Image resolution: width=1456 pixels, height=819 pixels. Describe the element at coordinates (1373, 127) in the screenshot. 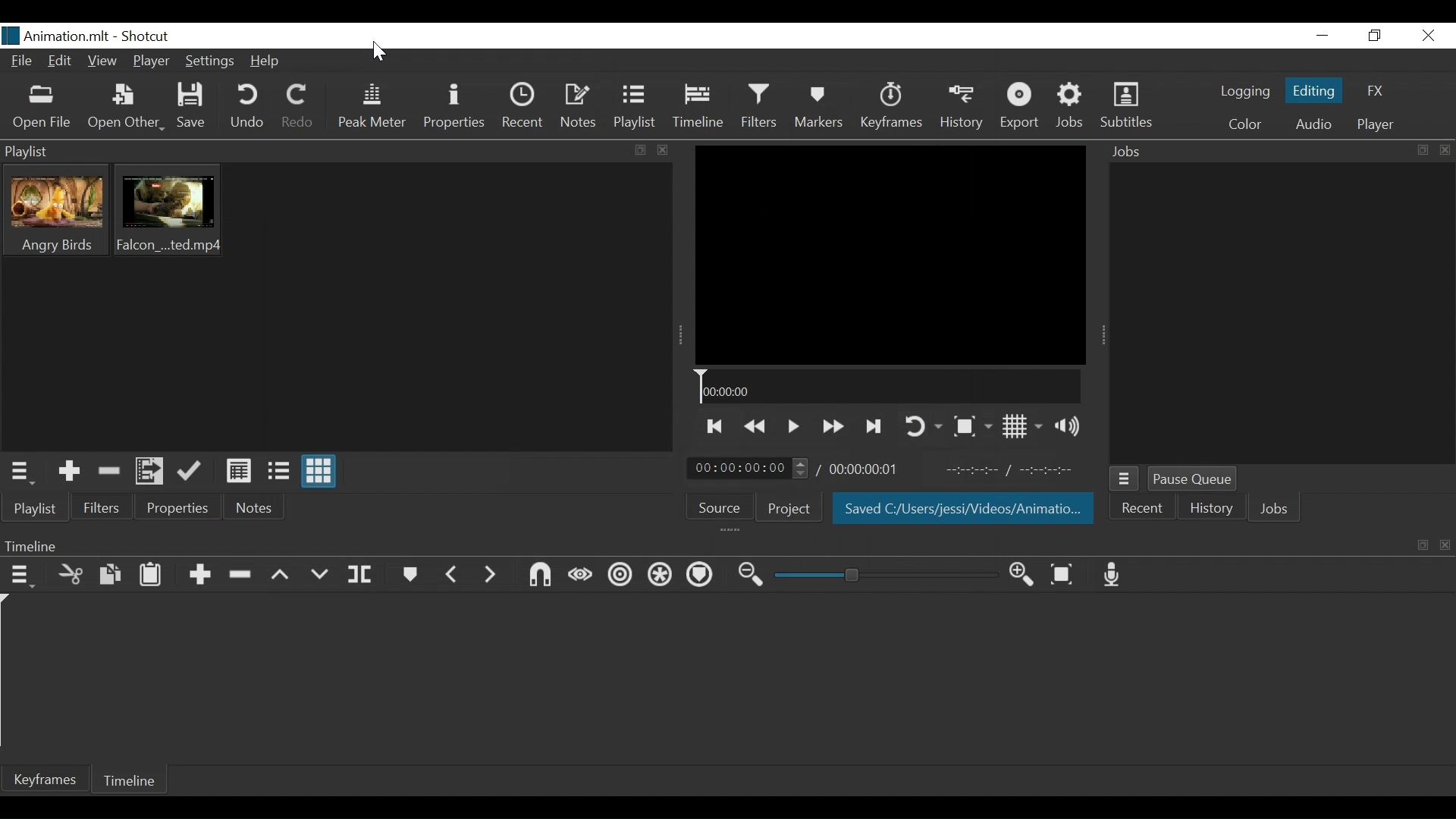

I see `Player` at that location.